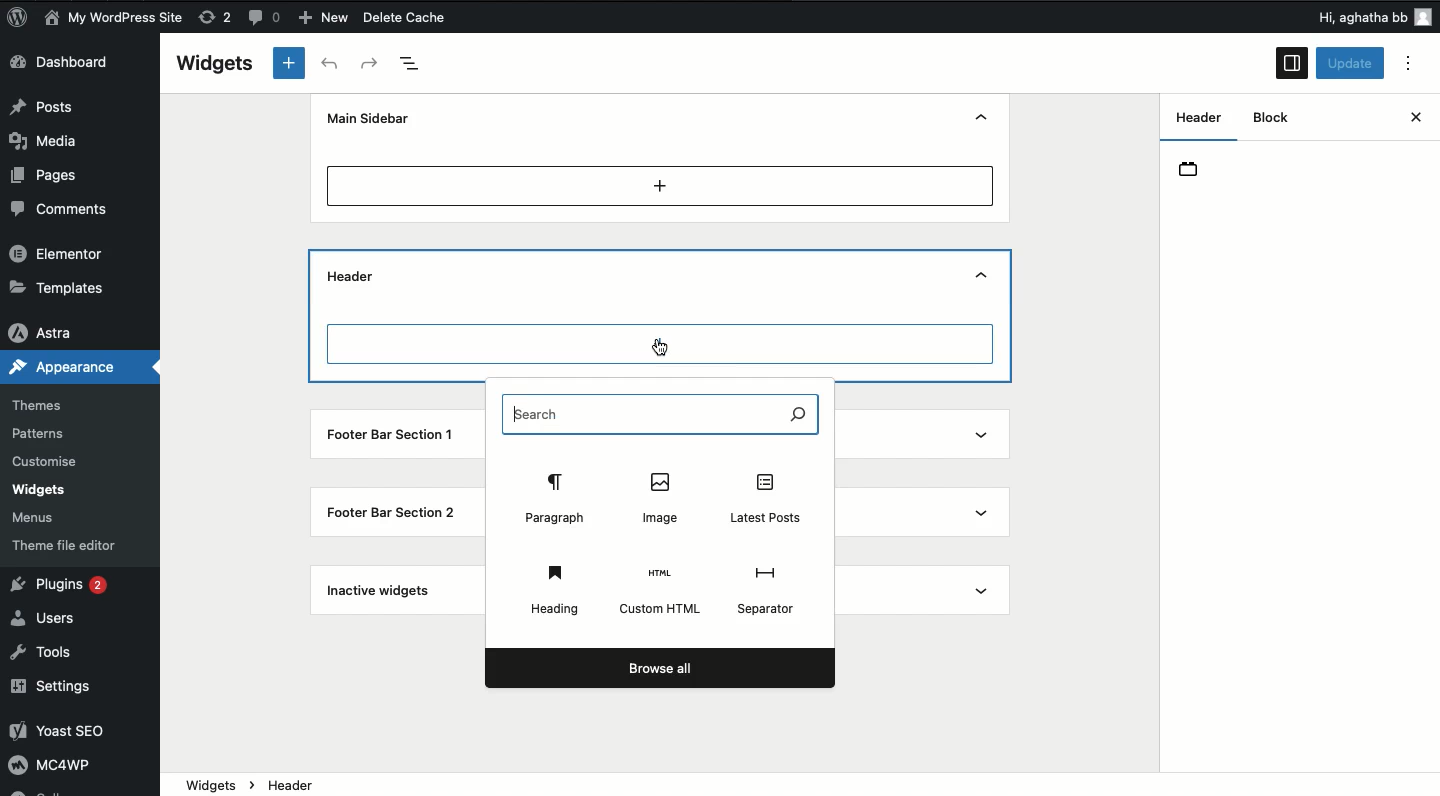 This screenshot has width=1440, height=796. What do you see at coordinates (555, 586) in the screenshot?
I see `Heading` at bounding box center [555, 586].